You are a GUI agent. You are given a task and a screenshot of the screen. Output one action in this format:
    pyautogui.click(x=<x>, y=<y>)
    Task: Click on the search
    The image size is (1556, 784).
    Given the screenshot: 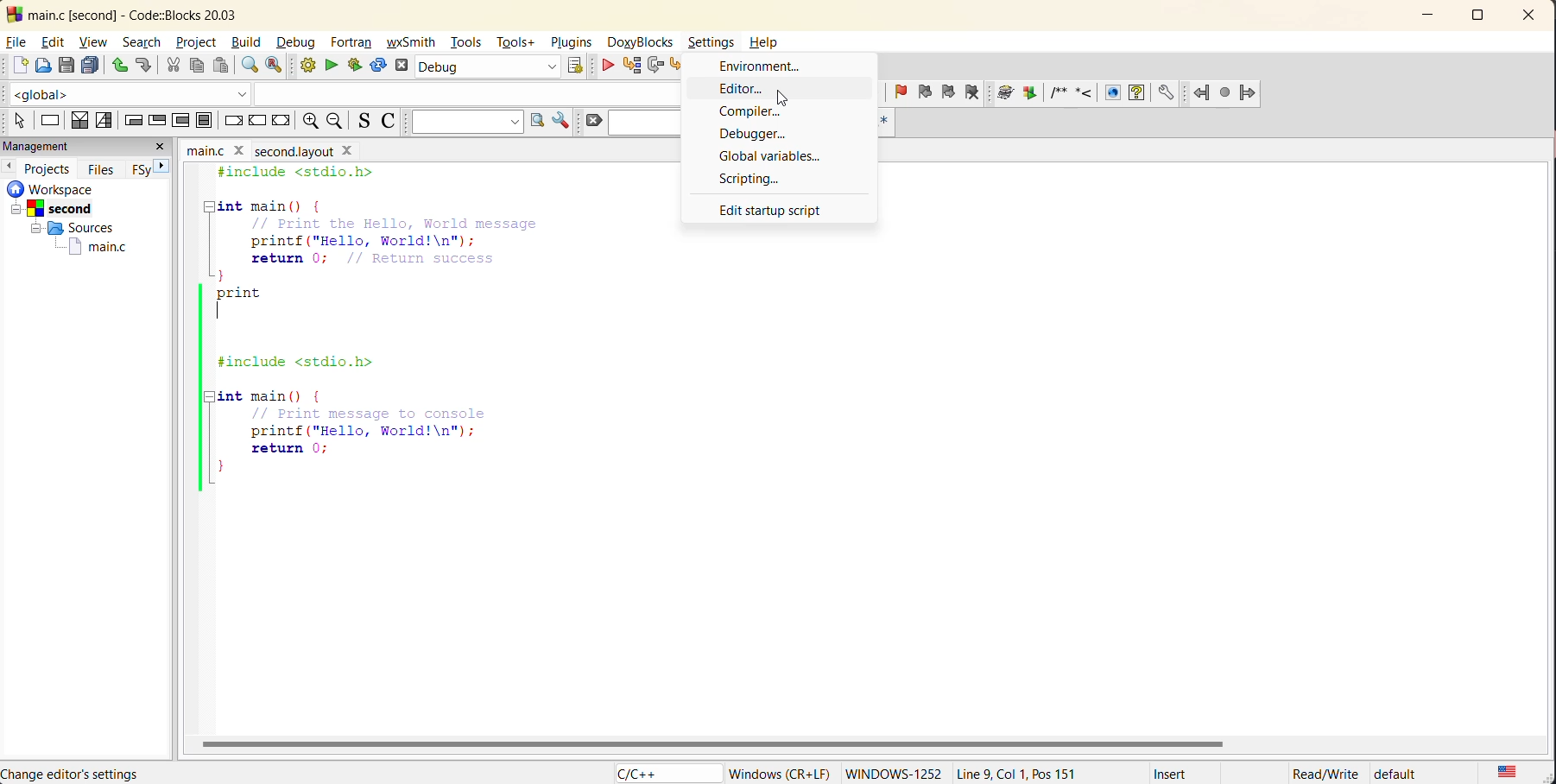 What is the action you would take?
    pyautogui.click(x=647, y=123)
    